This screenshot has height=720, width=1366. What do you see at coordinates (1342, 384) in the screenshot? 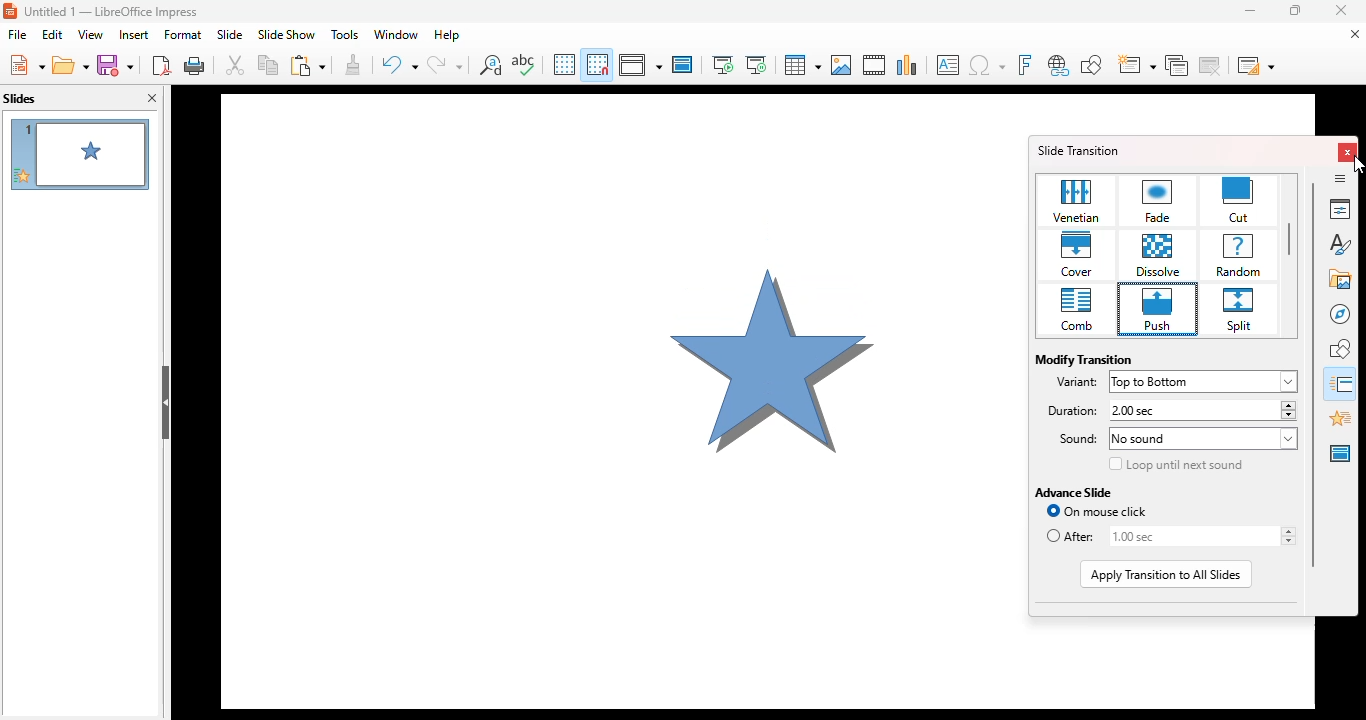
I see `slide transition` at bounding box center [1342, 384].